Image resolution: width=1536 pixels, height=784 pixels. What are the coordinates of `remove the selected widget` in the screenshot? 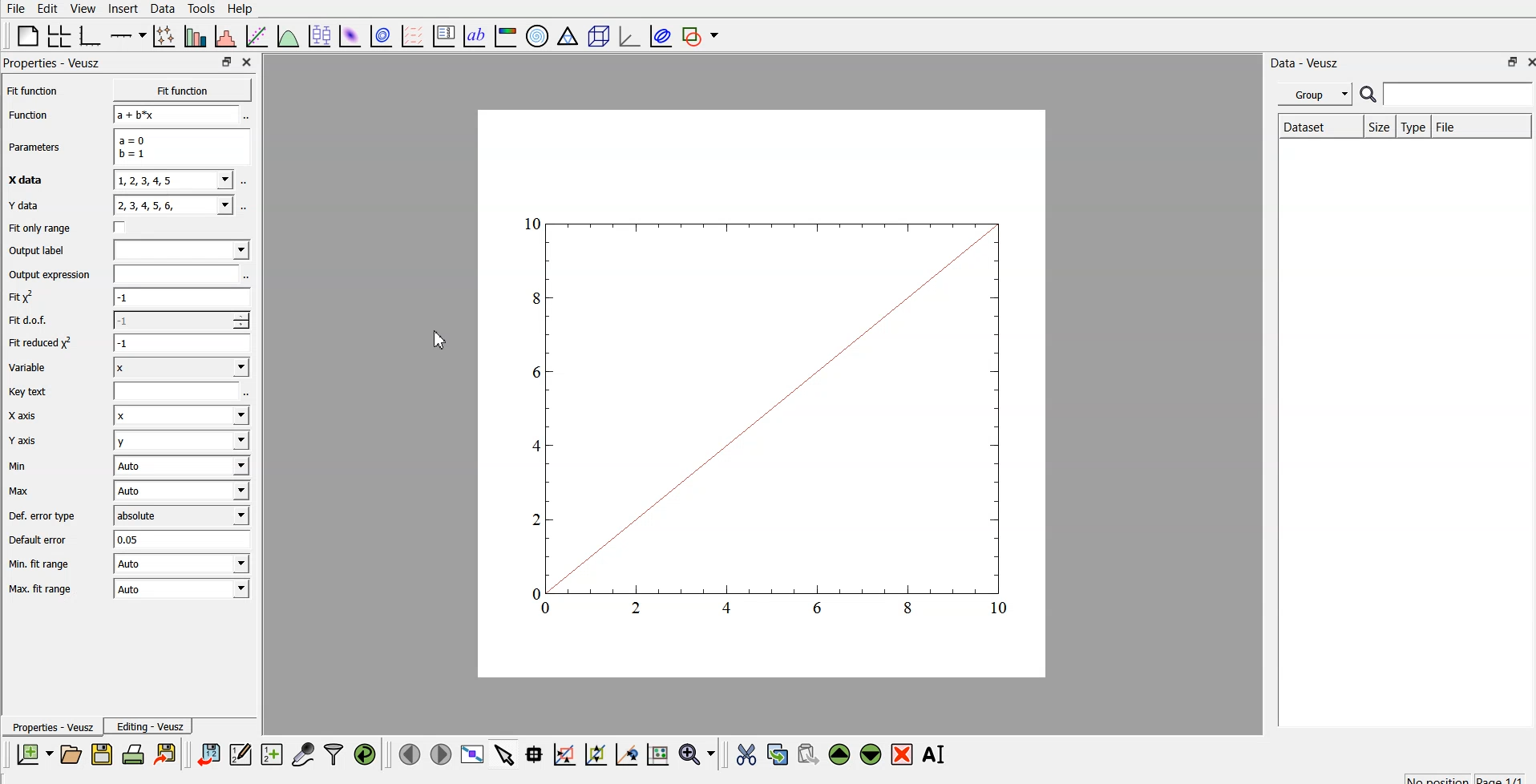 It's located at (903, 755).